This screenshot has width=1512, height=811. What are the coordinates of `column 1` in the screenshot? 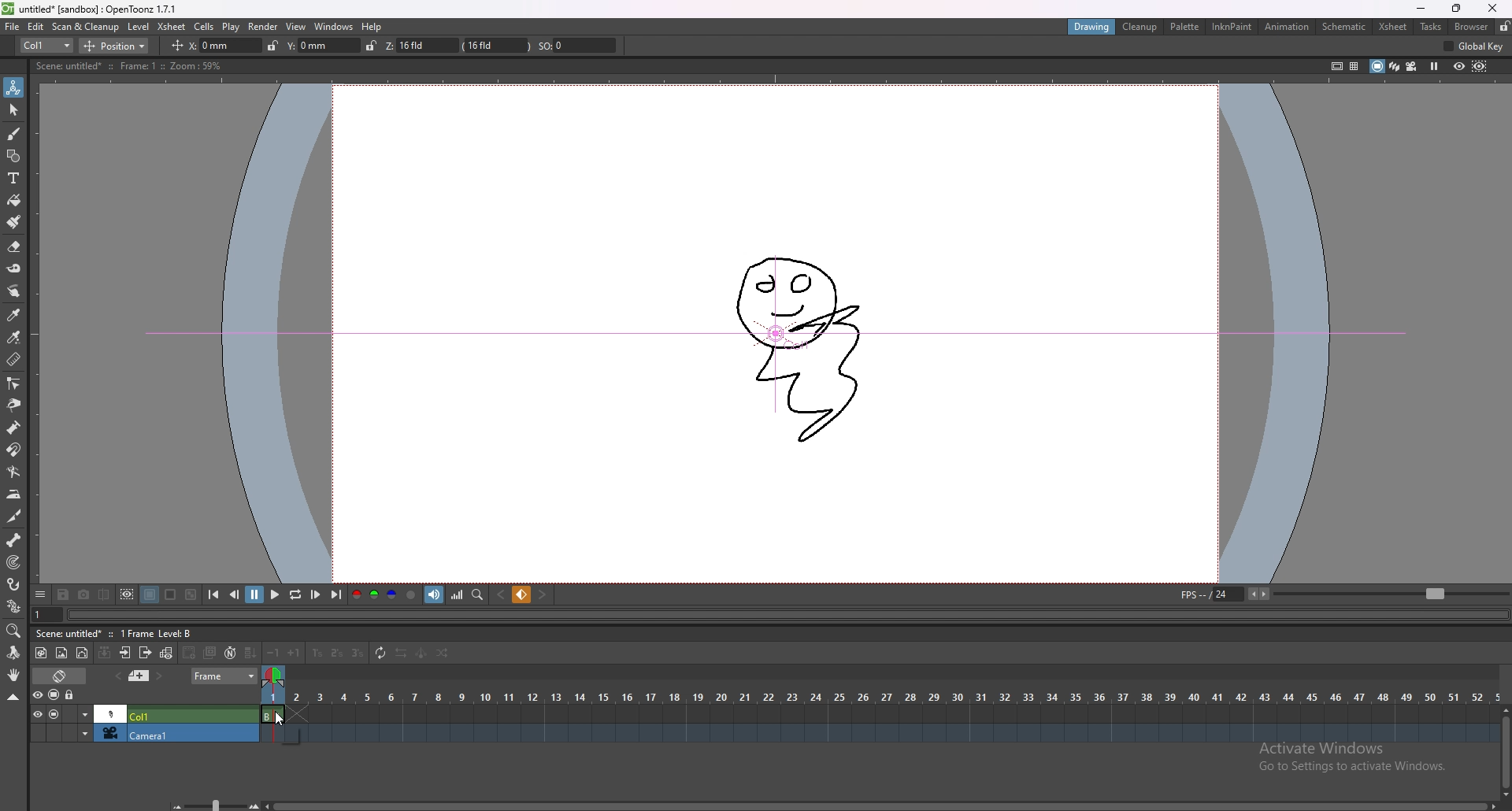 It's located at (143, 713).